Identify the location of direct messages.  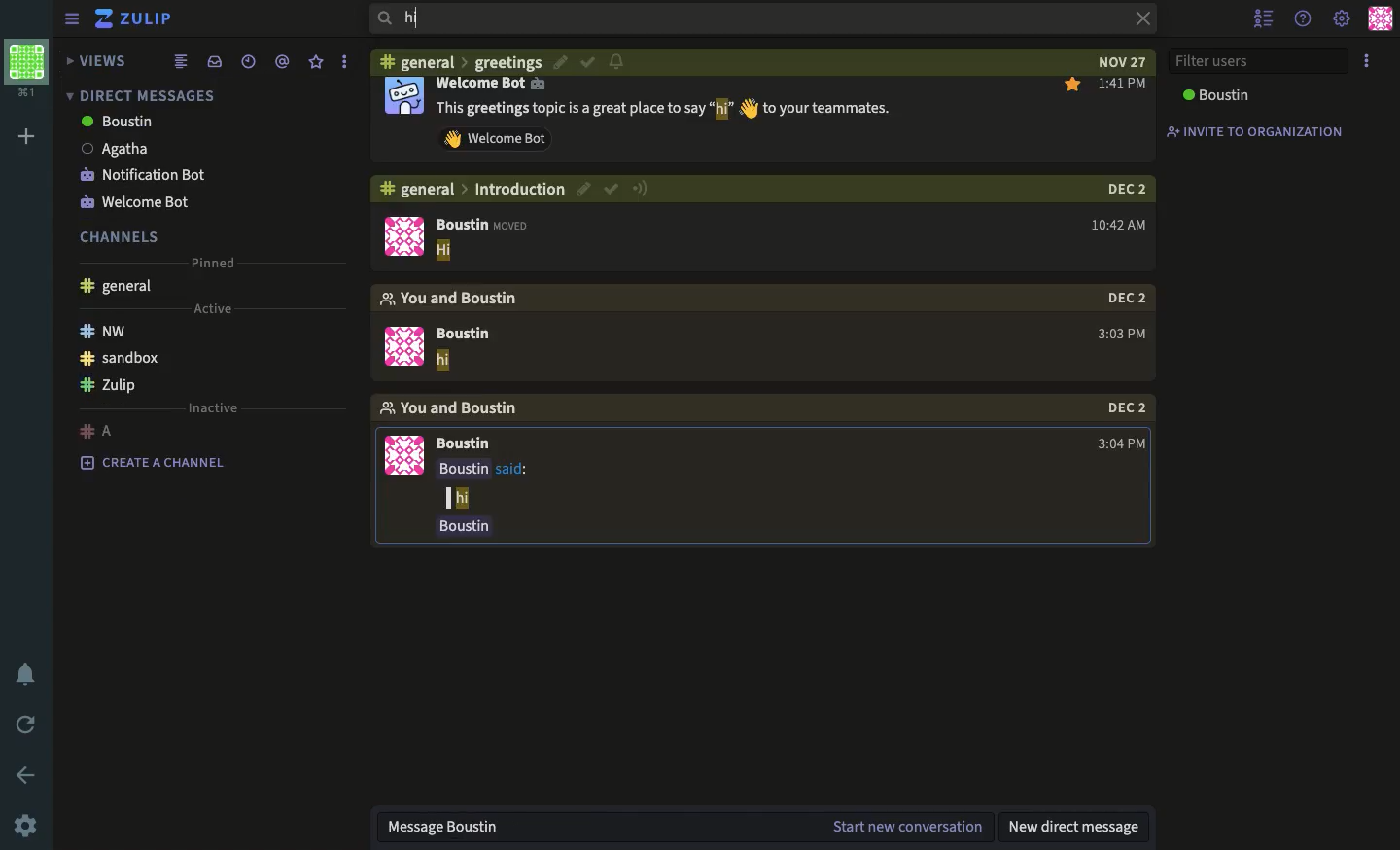
(149, 96).